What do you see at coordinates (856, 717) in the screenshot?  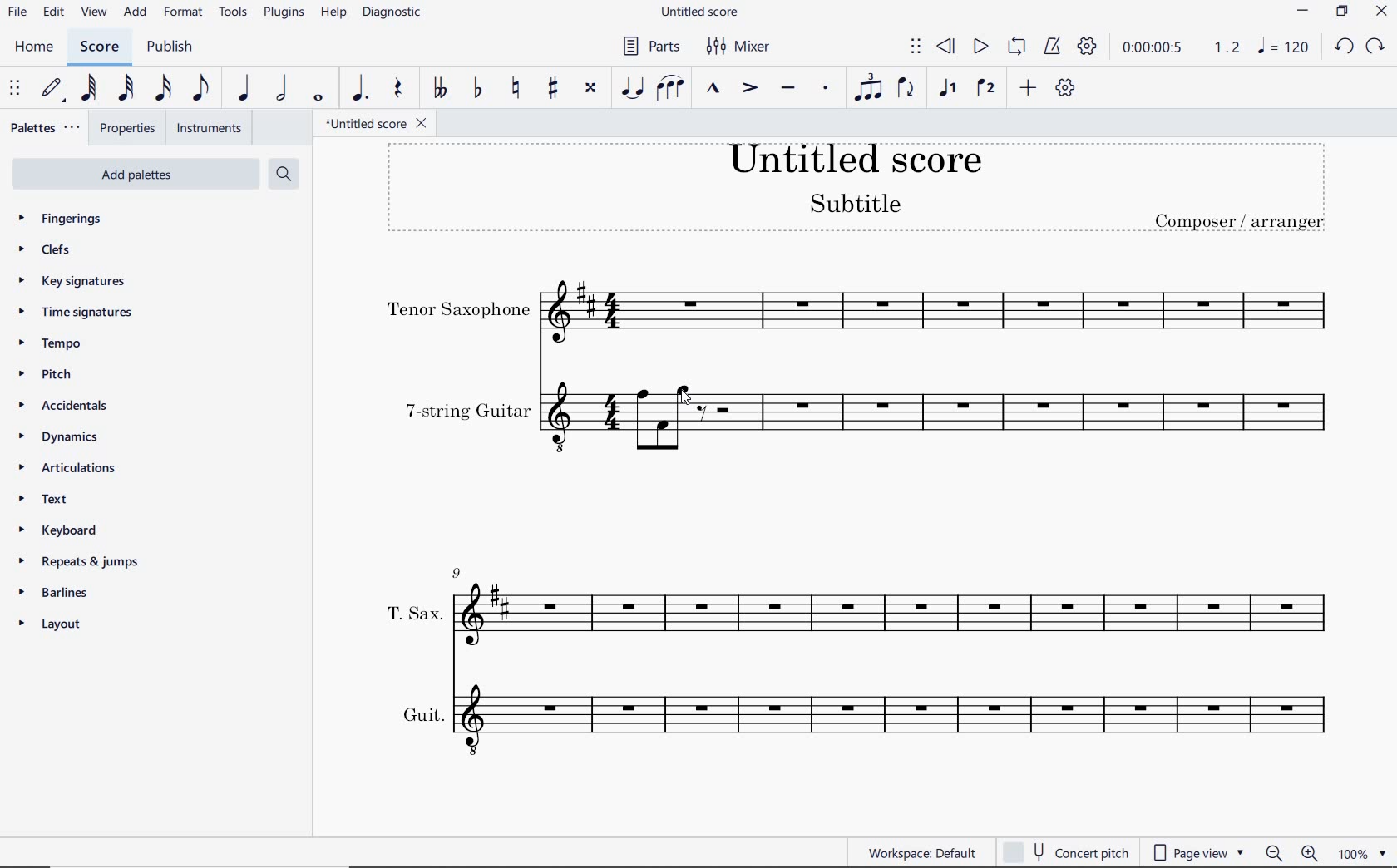 I see `INSTRUMENT: GUIT` at bounding box center [856, 717].